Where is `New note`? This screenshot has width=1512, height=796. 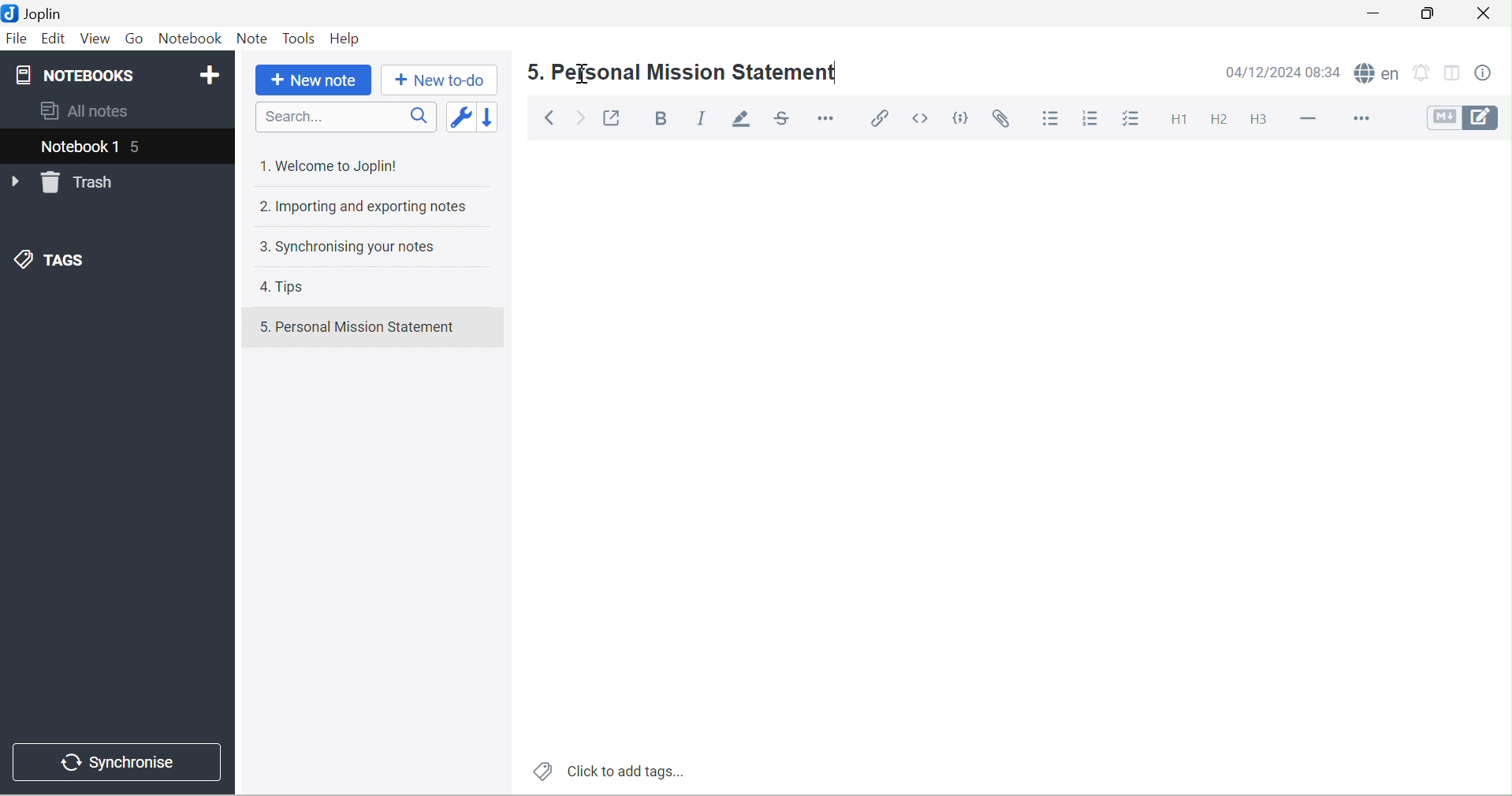
New note is located at coordinates (316, 80).